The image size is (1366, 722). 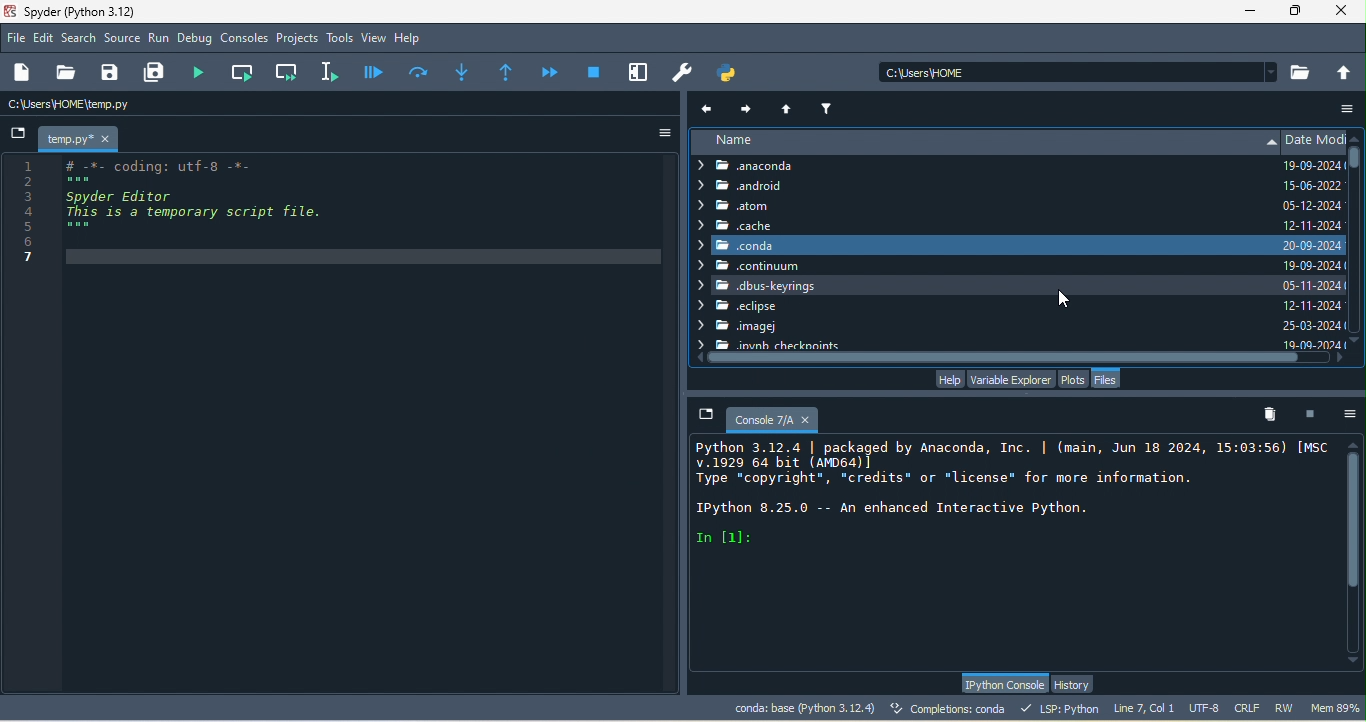 I want to click on browse tabs, so click(x=19, y=135).